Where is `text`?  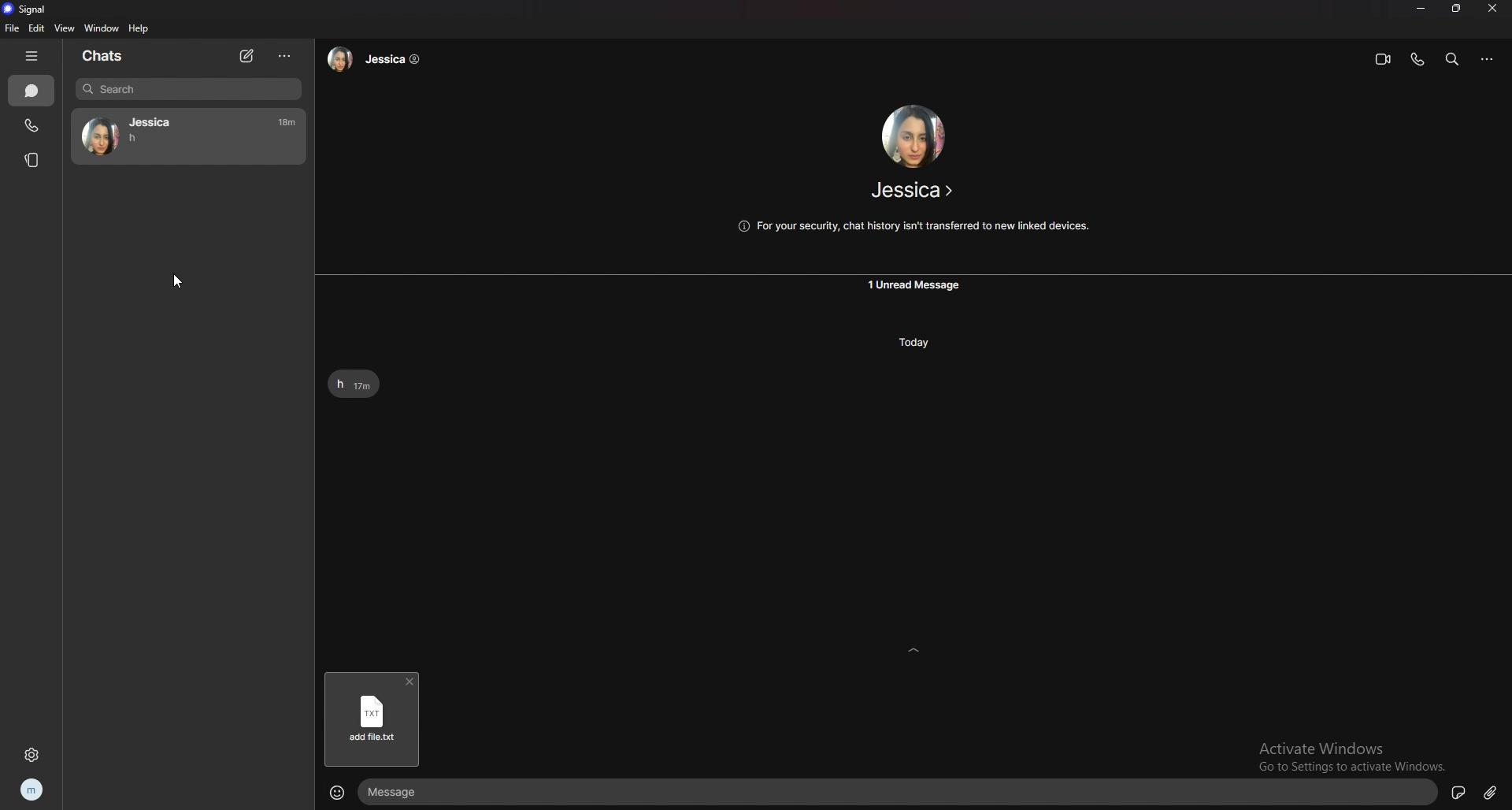 text is located at coordinates (358, 384).